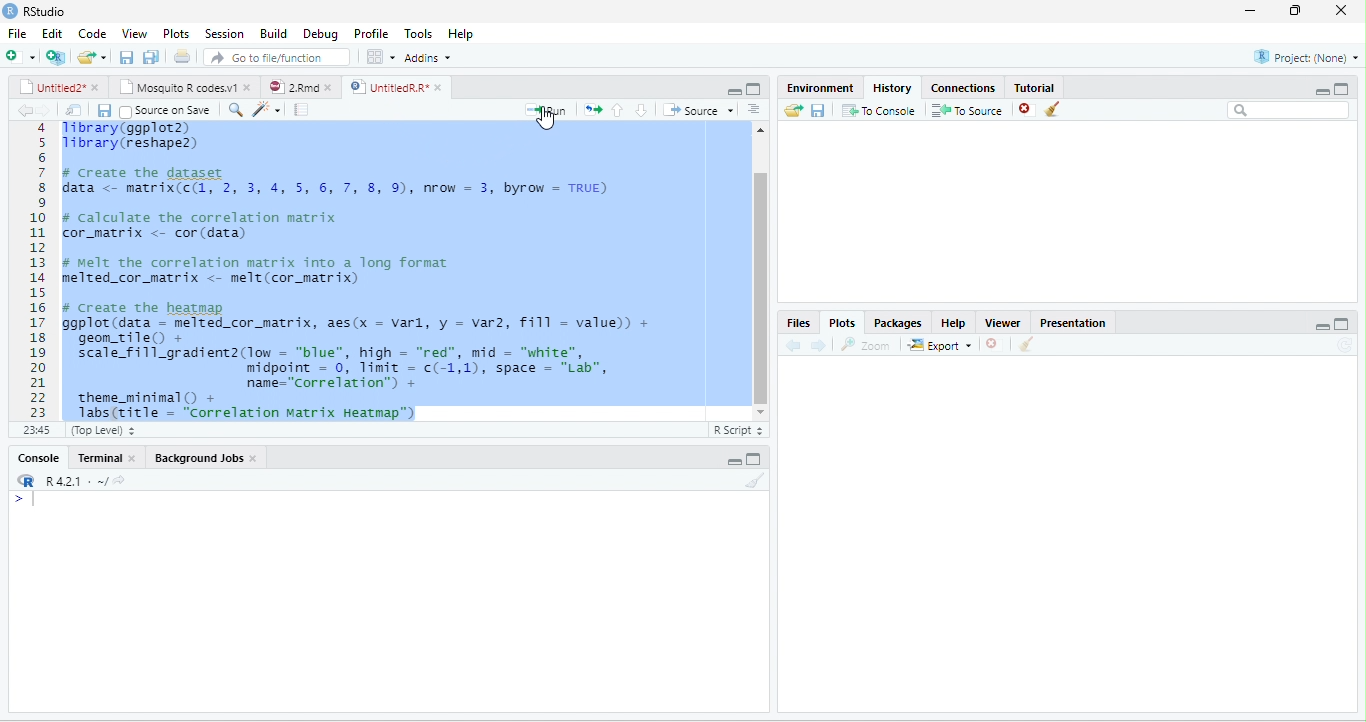 This screenshot has height=722, width=1366. Describe the element at coordinates (92, 59) in the screenshot. I see `end file` at that location.